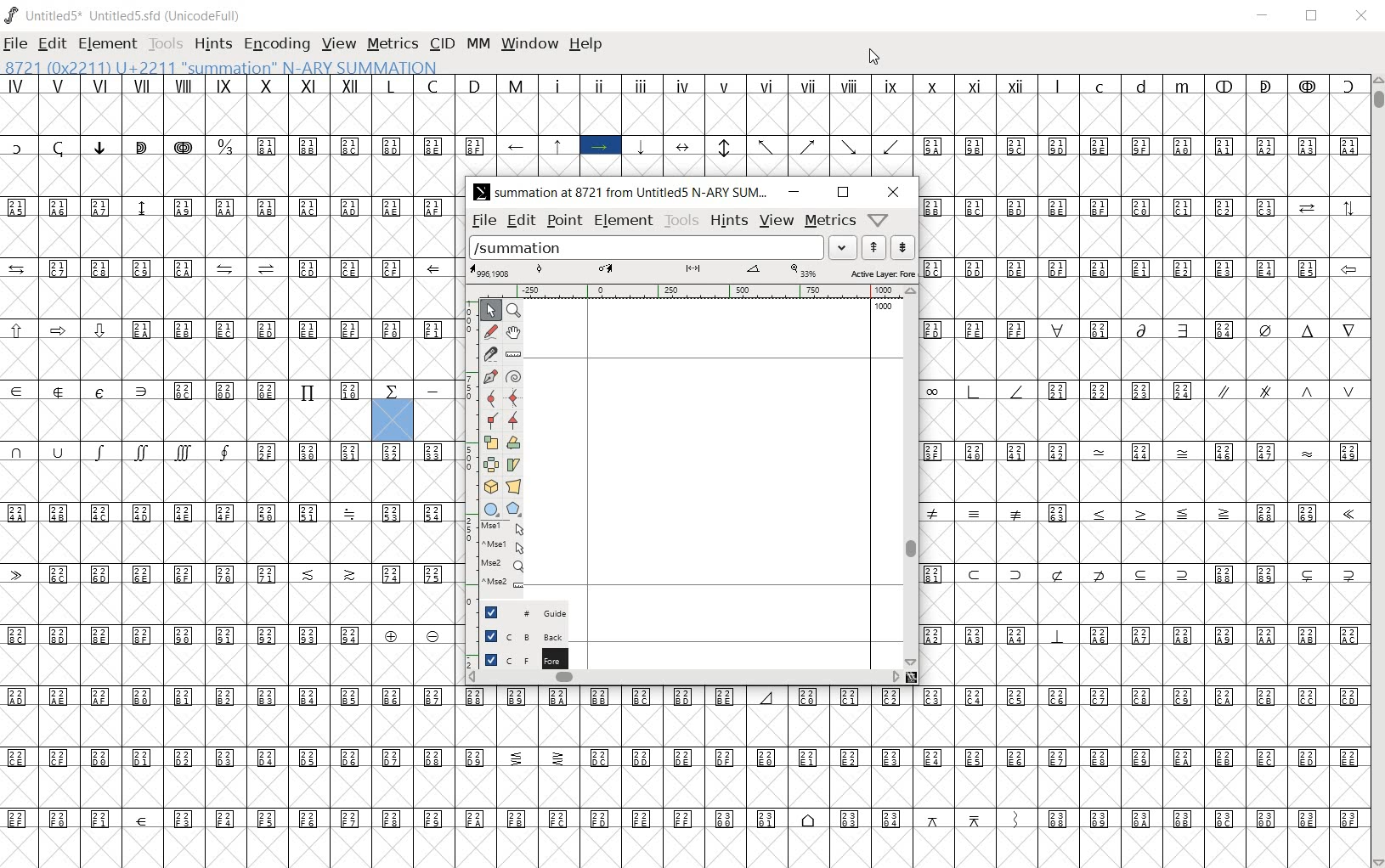 The image size is (1385, 868). I want to click on POINTER, so click(490, 309).